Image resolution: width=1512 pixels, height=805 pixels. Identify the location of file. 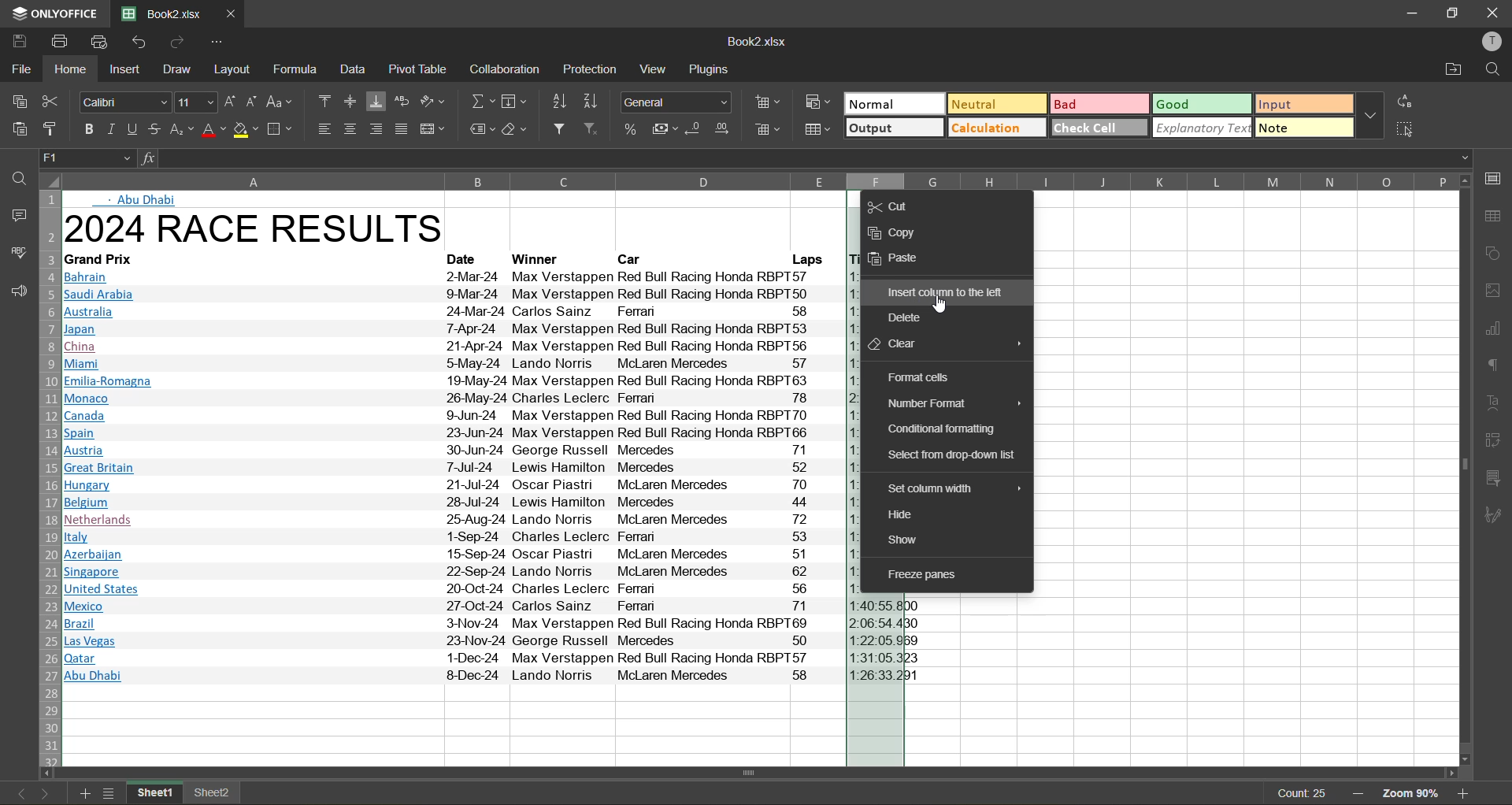
(18, 69).